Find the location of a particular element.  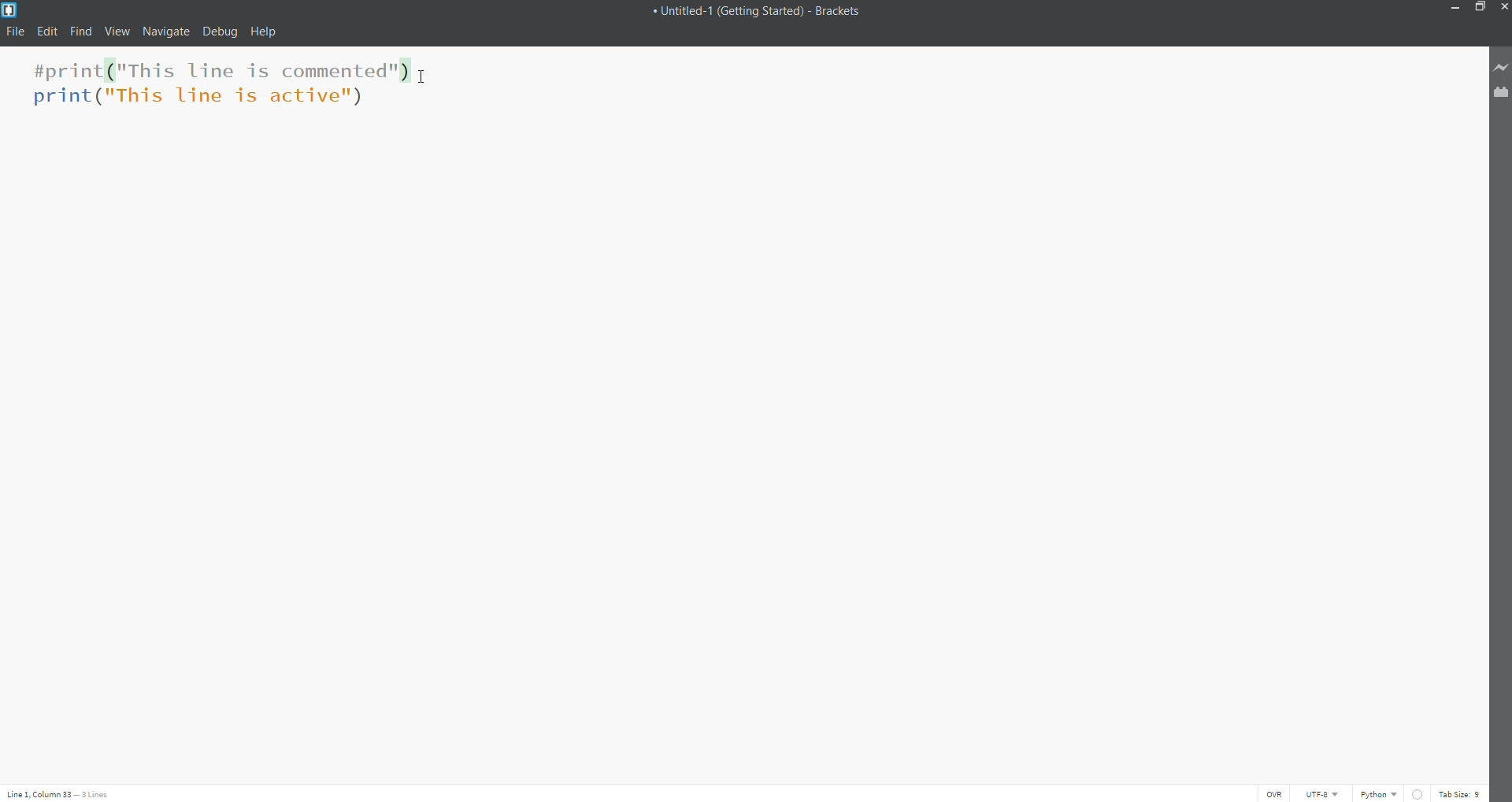

Extension manager is located at coordinates (1499, 92).